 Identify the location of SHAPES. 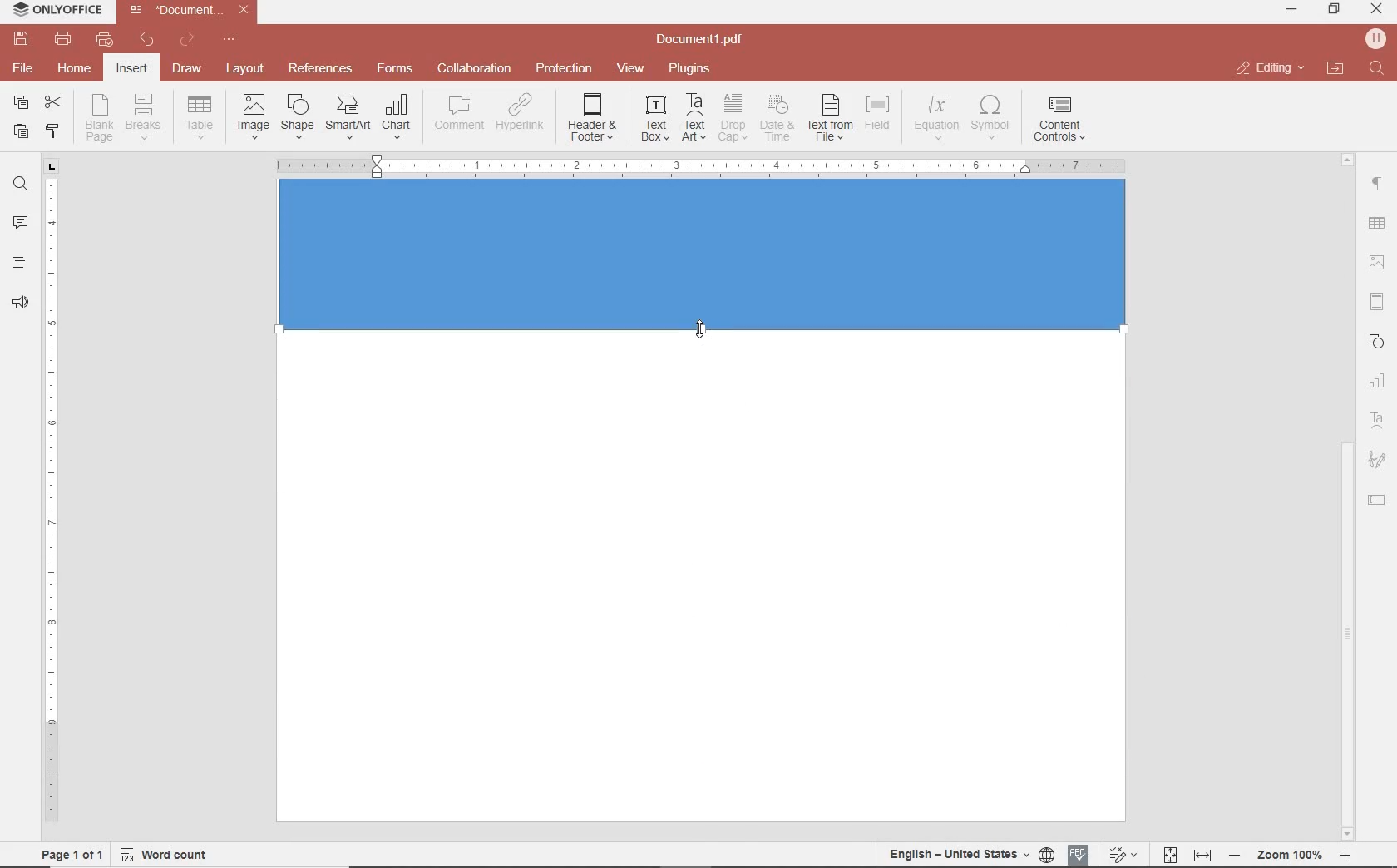
(1378, 343).